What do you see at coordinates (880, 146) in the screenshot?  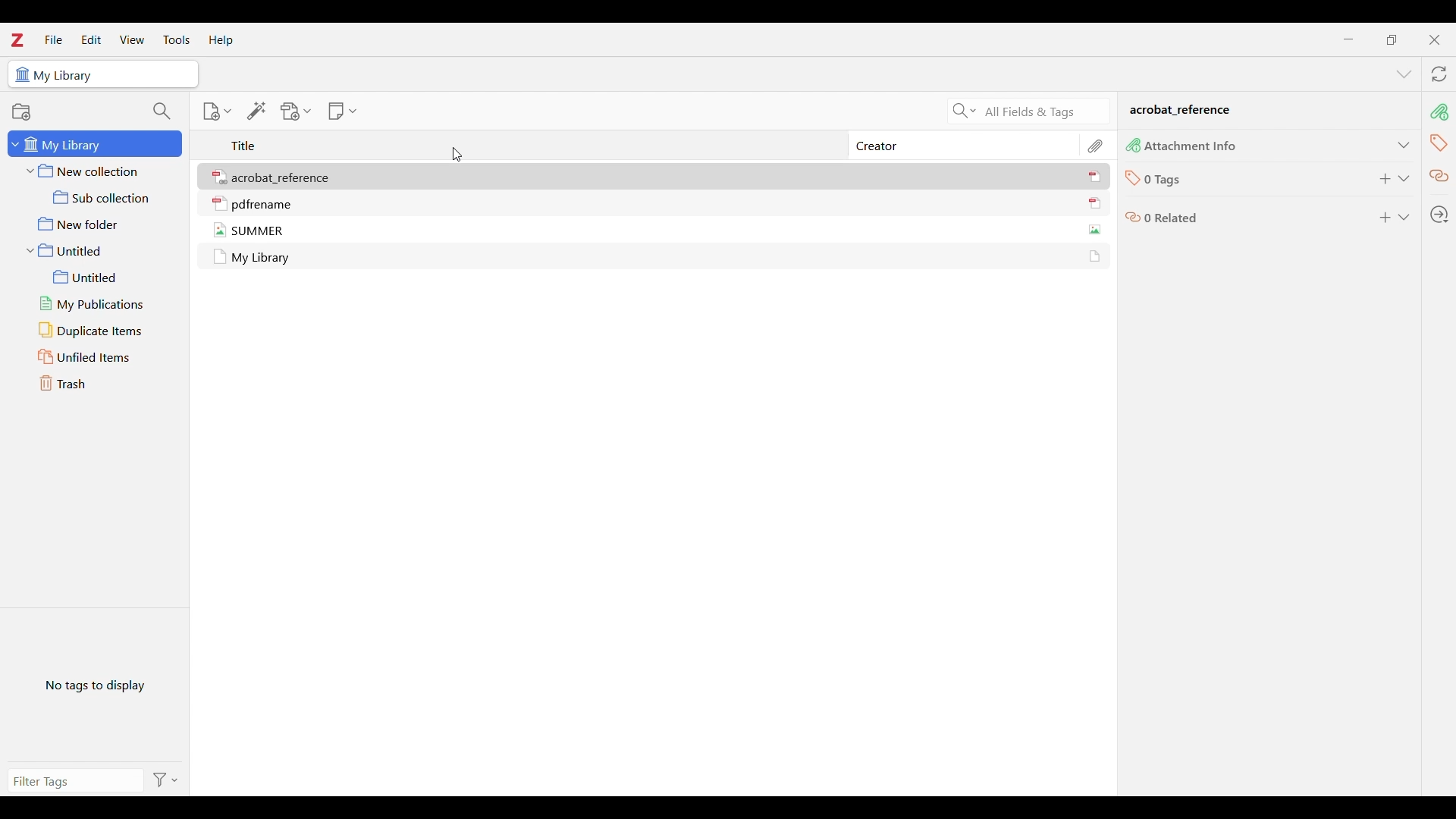 I see `Creator column` at bounding box center [880, 146].